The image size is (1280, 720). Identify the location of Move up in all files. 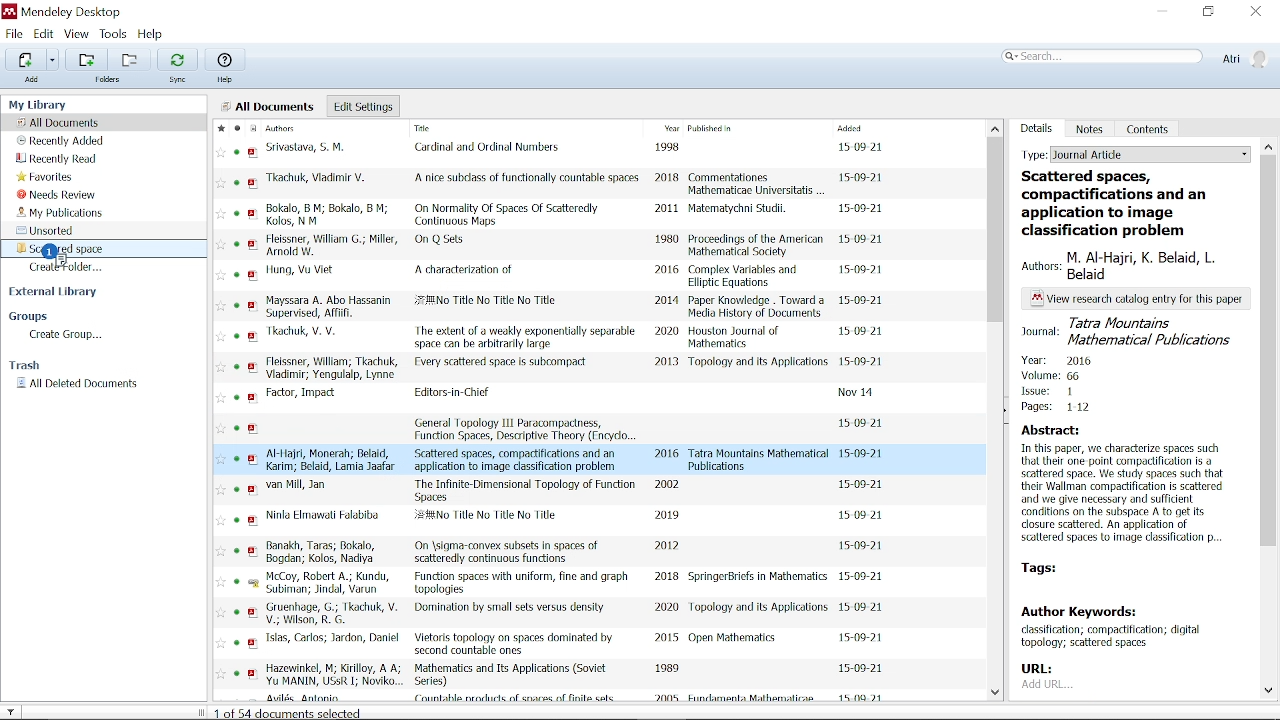
(995, 128).